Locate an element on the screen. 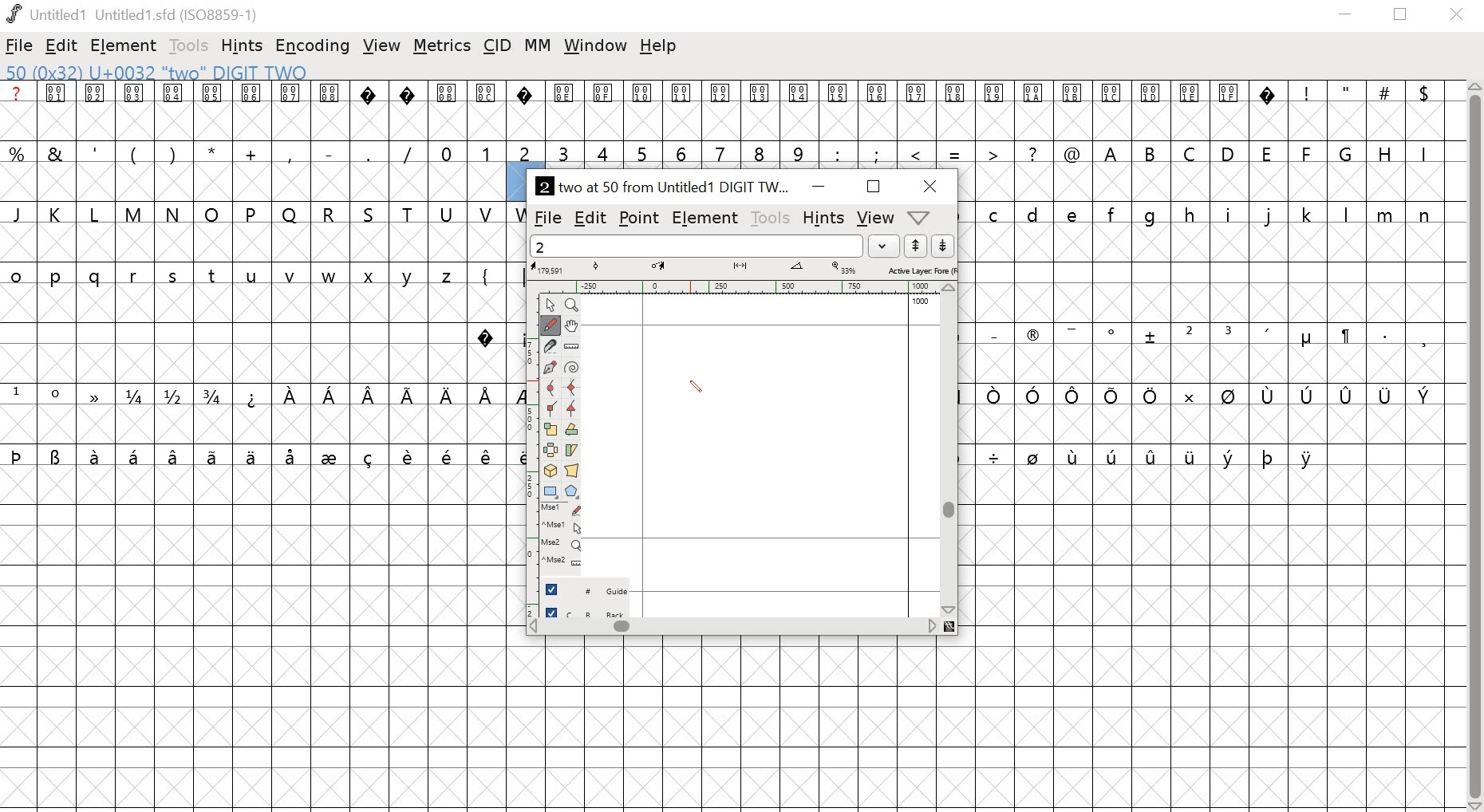 This screenshot has width=1484, height=812. 1000 is located at coordinates (921, 303).